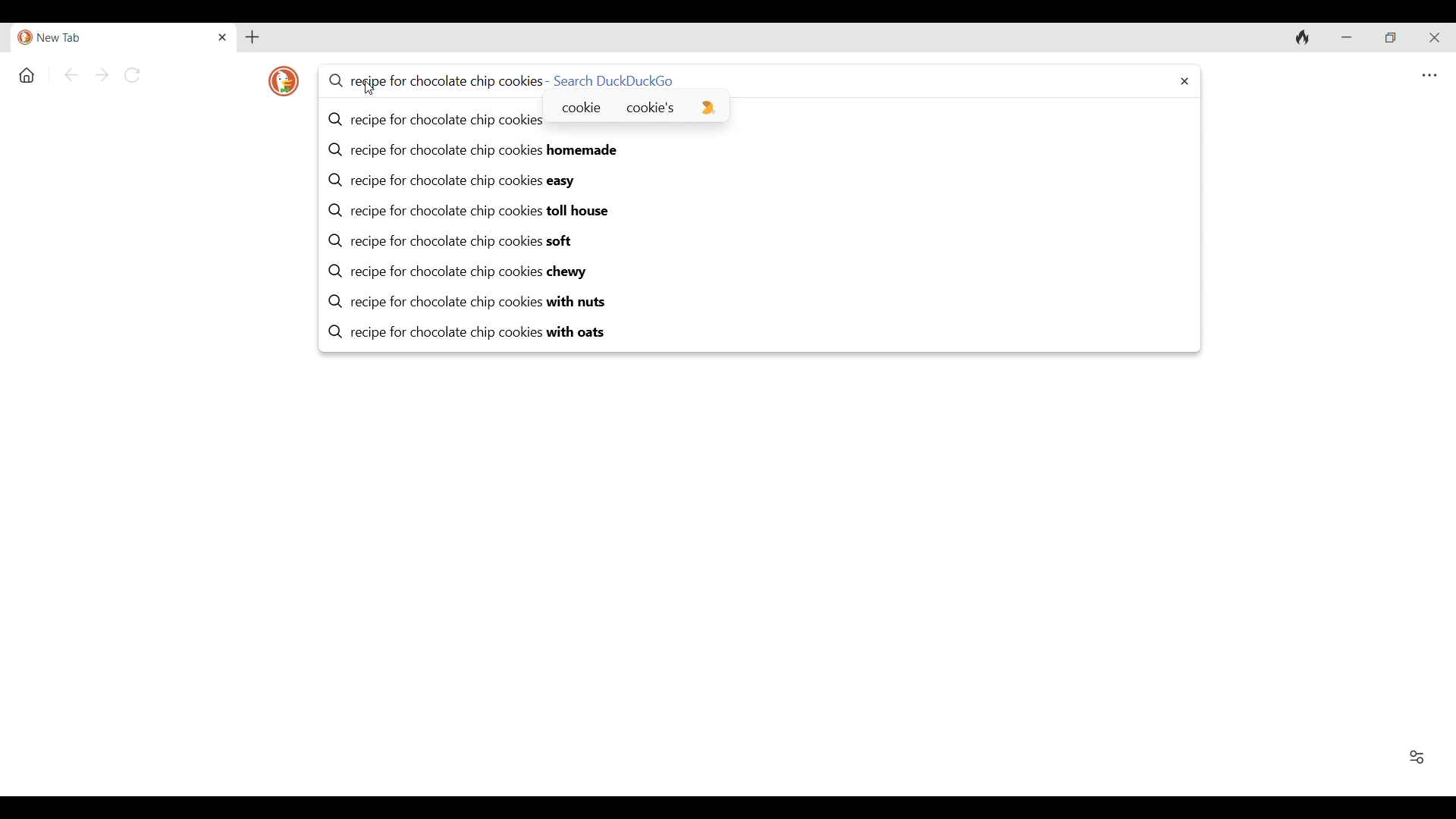 This screenshot has width=1456, height=819. I want to click on Q recipe for chocolate chip cookies easy, so click(761, 181).